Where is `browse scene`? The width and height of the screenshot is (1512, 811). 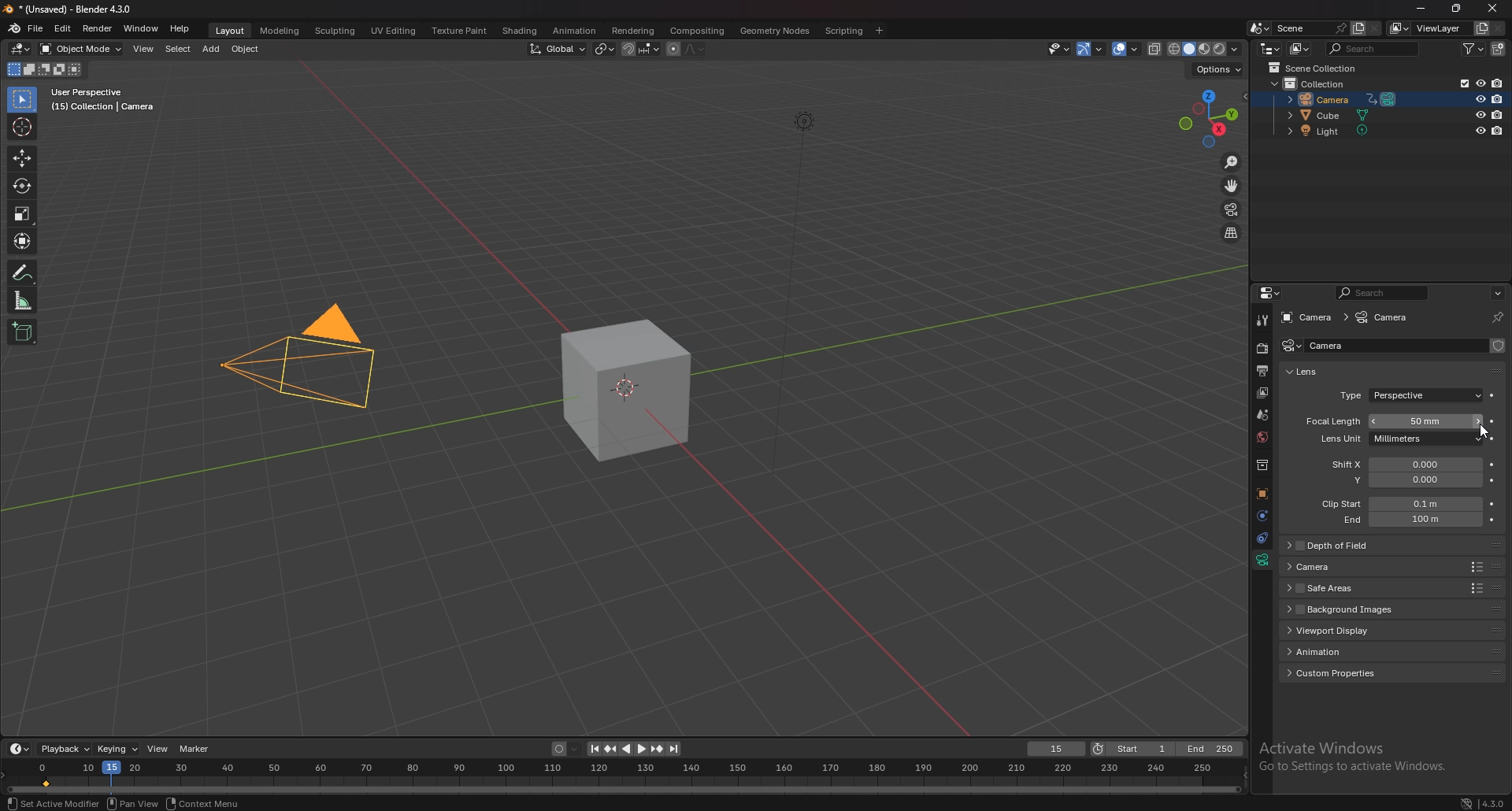 browse scene is located at coordinates (1258, 28).